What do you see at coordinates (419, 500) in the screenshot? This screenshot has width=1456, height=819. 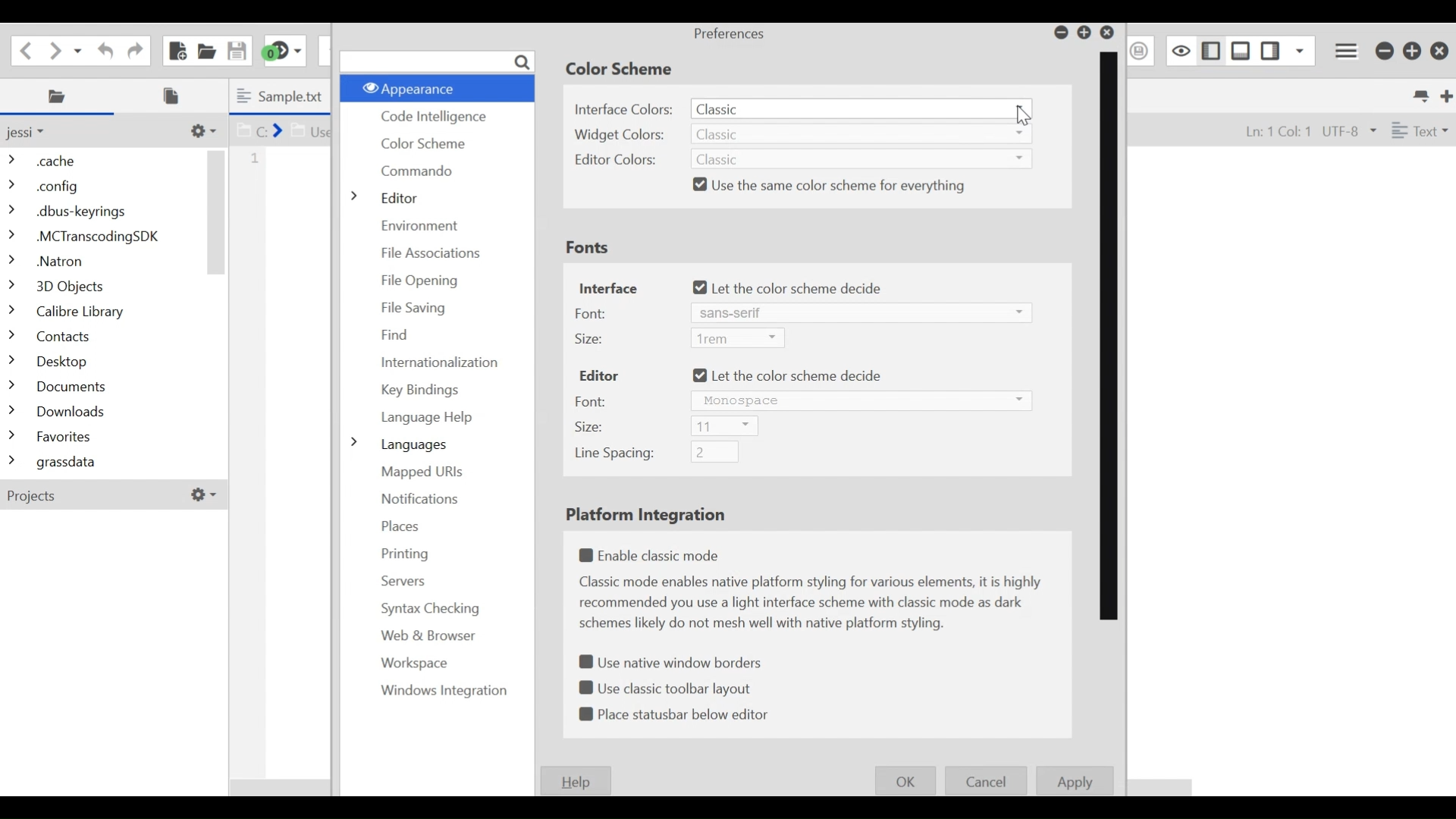 I see `Notifications` at bounding box center [419, 500].